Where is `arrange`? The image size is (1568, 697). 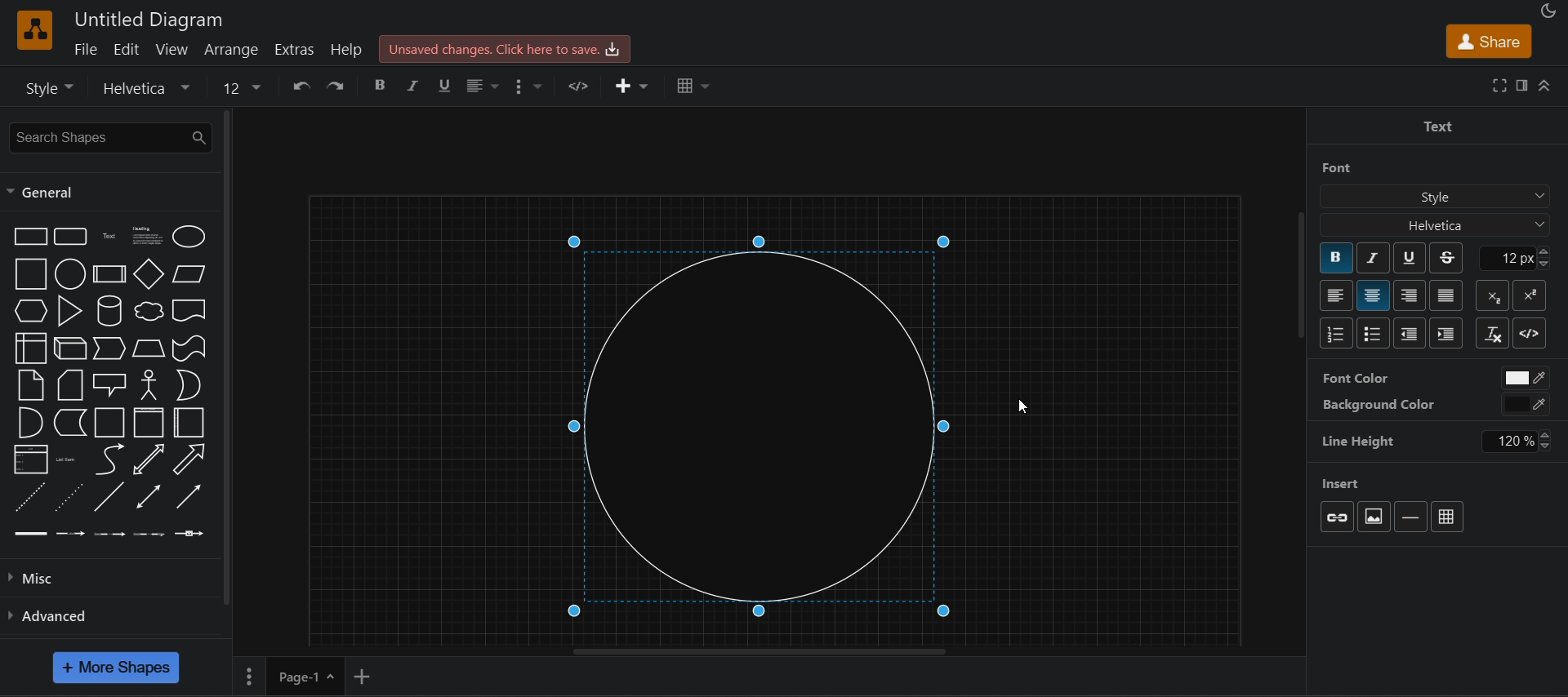
arrange is located at coordinates (231, 50).